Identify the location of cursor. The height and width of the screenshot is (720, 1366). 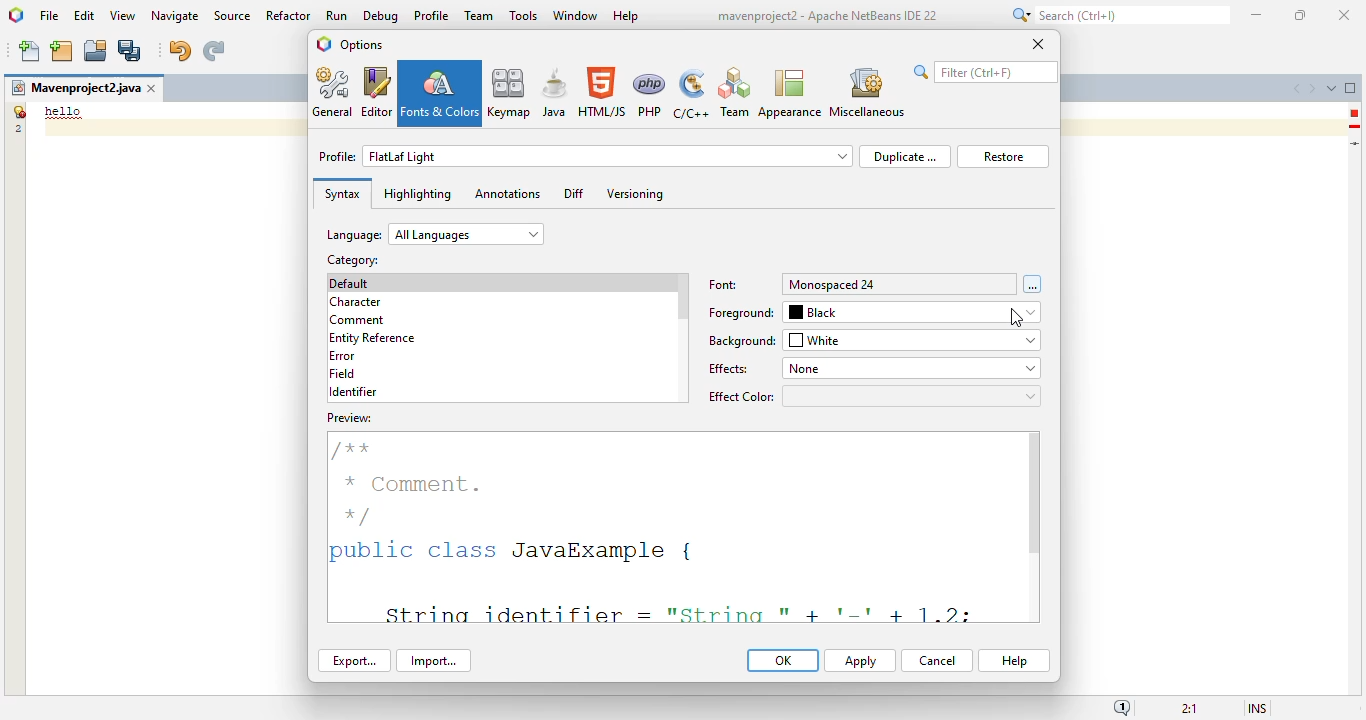
(1016, 318).